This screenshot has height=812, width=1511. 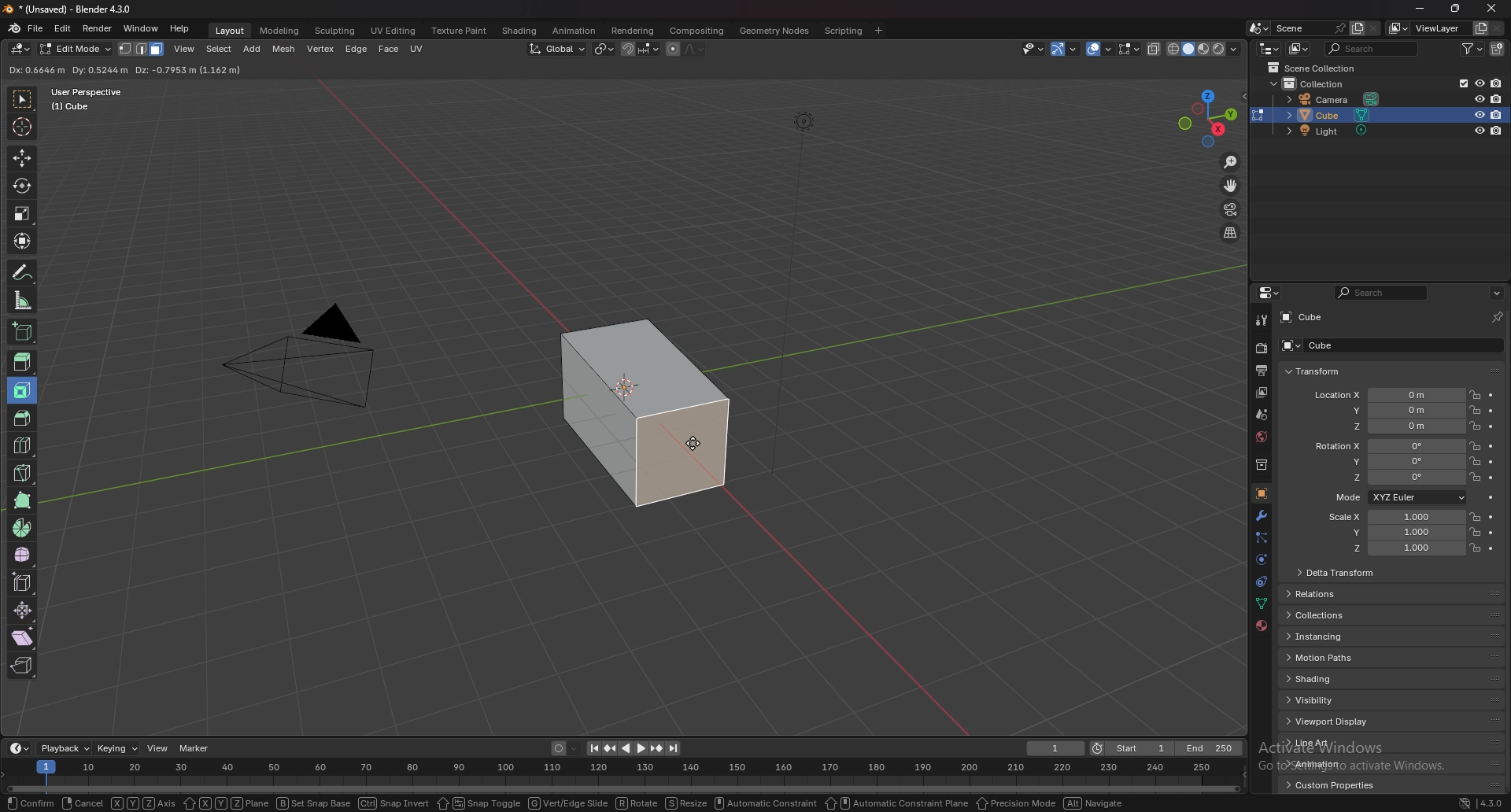 I want to click on scripting, so click(x=842, y=31).